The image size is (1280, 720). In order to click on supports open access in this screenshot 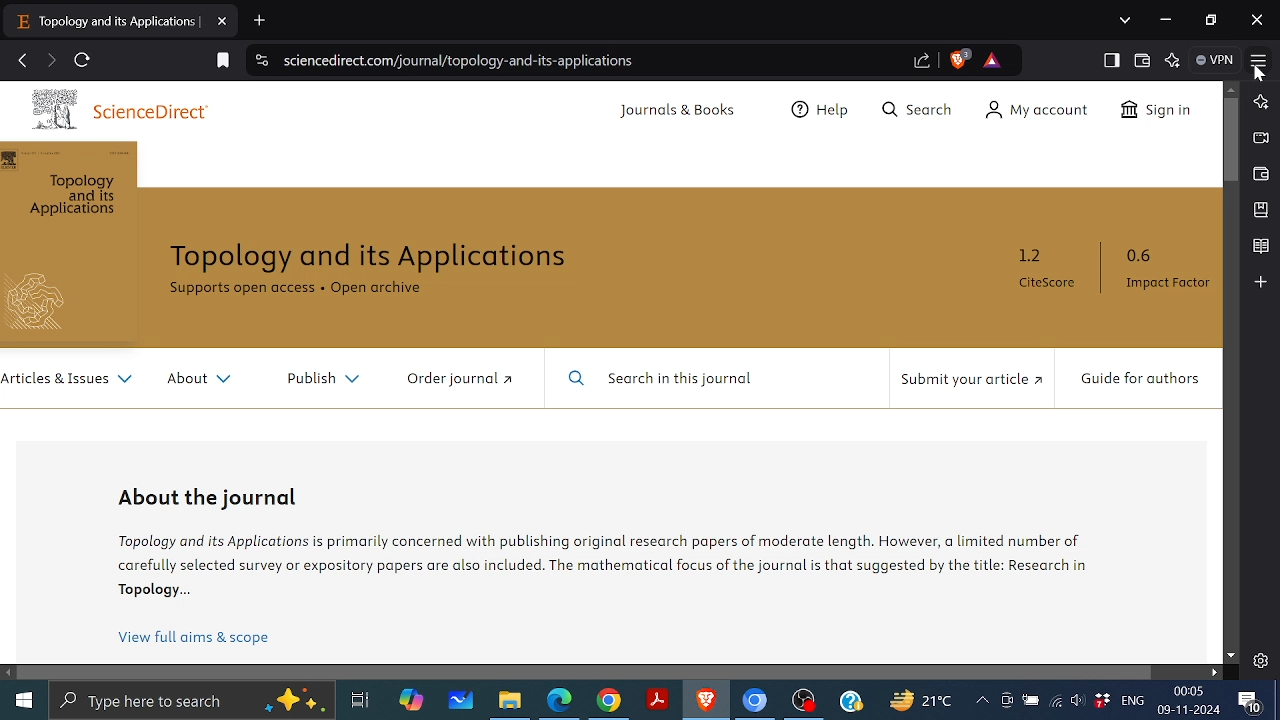, I will do `click(239, 289)`.